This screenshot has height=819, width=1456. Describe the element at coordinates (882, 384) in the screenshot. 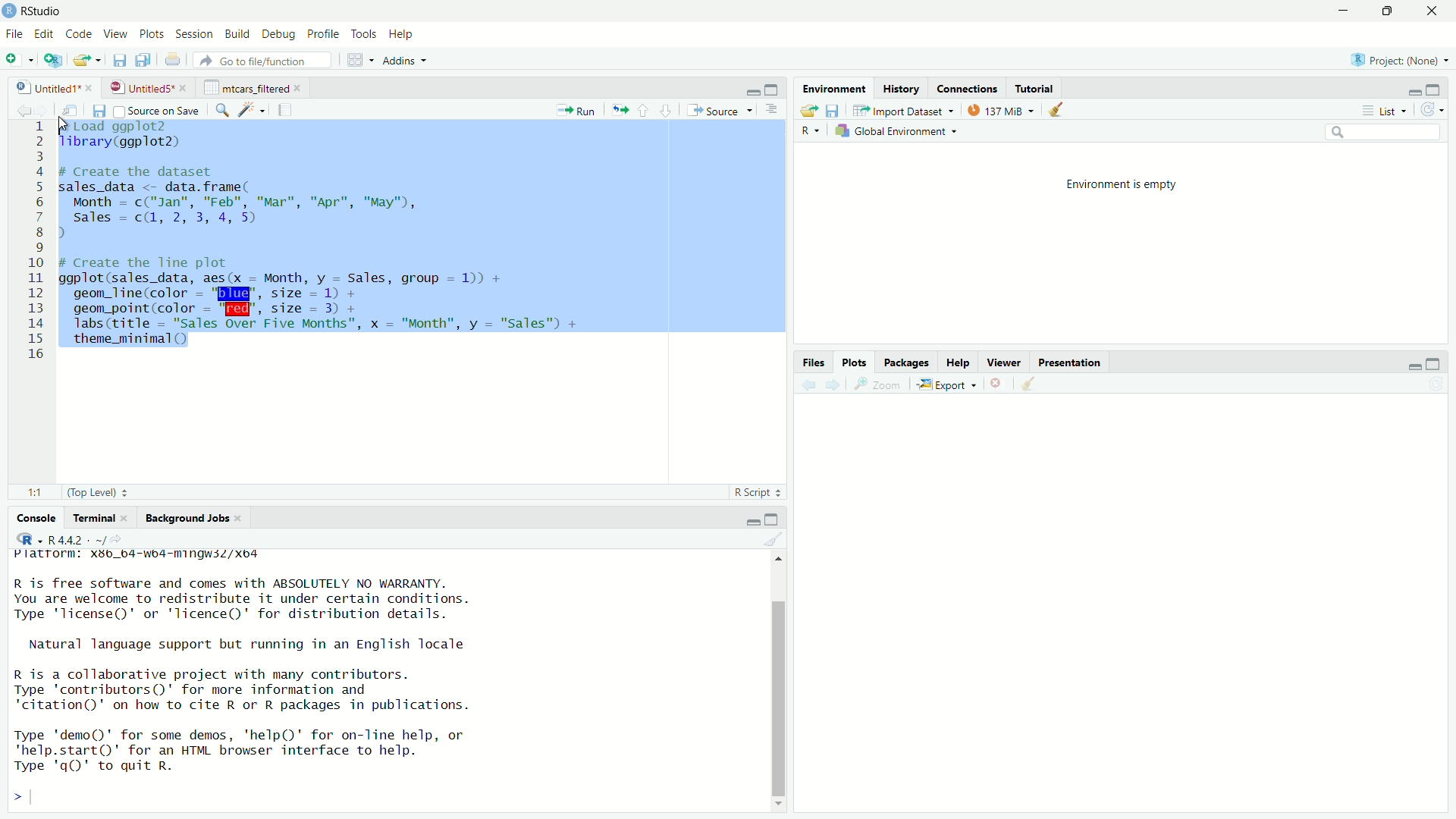

I see `Zoom` at that location.